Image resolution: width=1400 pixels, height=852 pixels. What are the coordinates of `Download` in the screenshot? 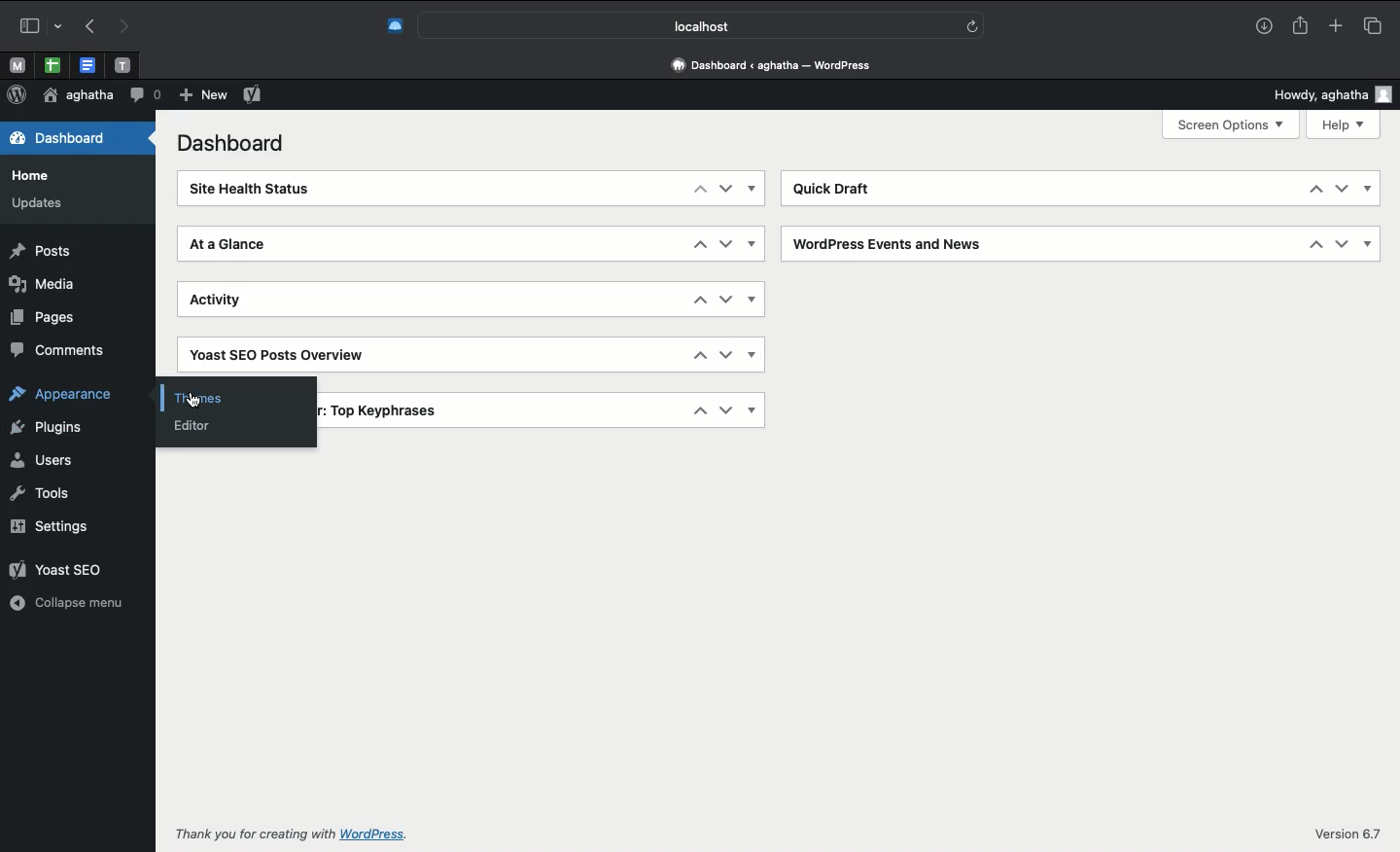 It's located at (1261, 27).